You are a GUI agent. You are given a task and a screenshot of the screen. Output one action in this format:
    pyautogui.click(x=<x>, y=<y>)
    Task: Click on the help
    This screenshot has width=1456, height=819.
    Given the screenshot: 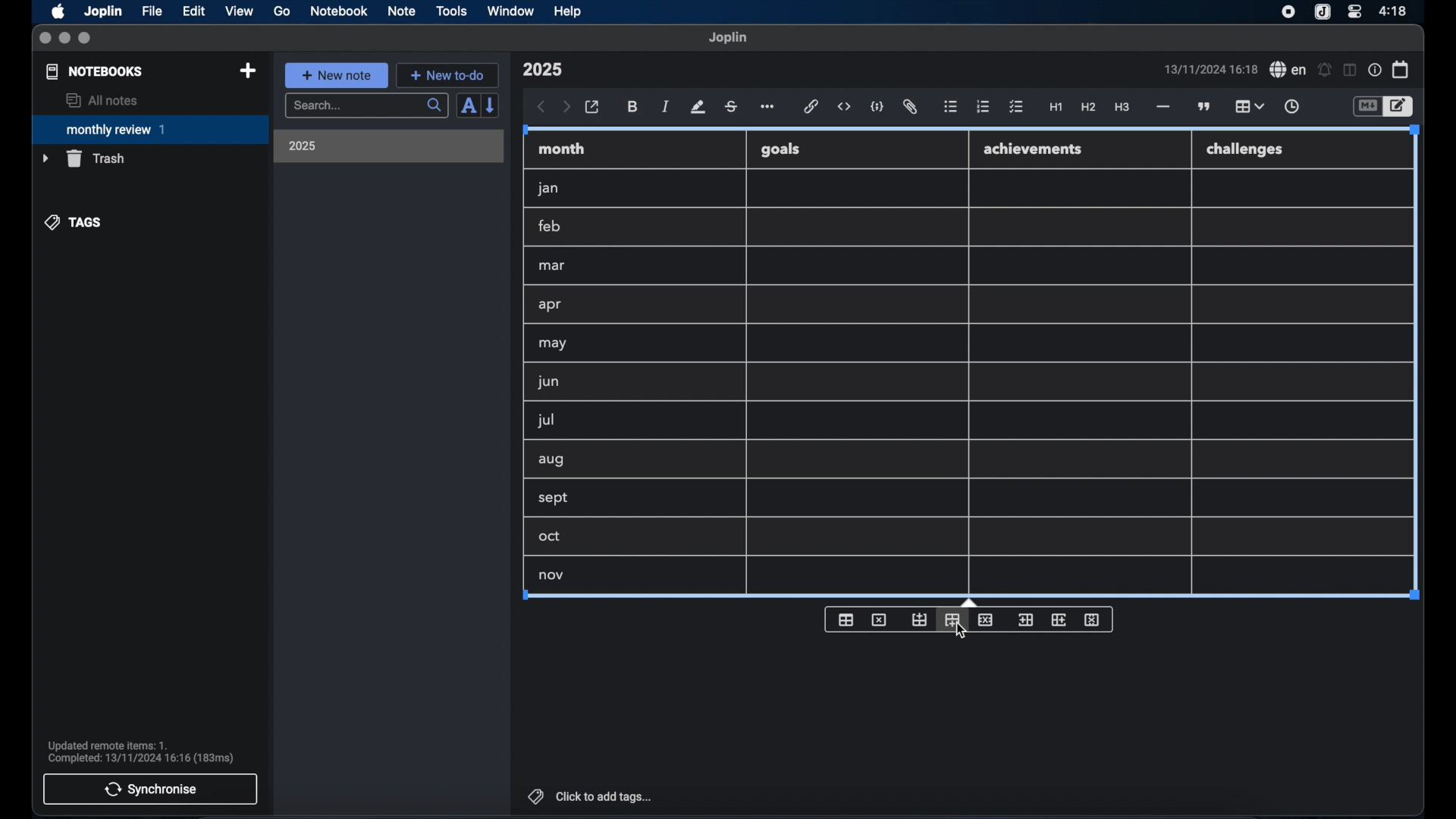 What is the action you would take?
    pyautogui.click(x=569, y=11)
    